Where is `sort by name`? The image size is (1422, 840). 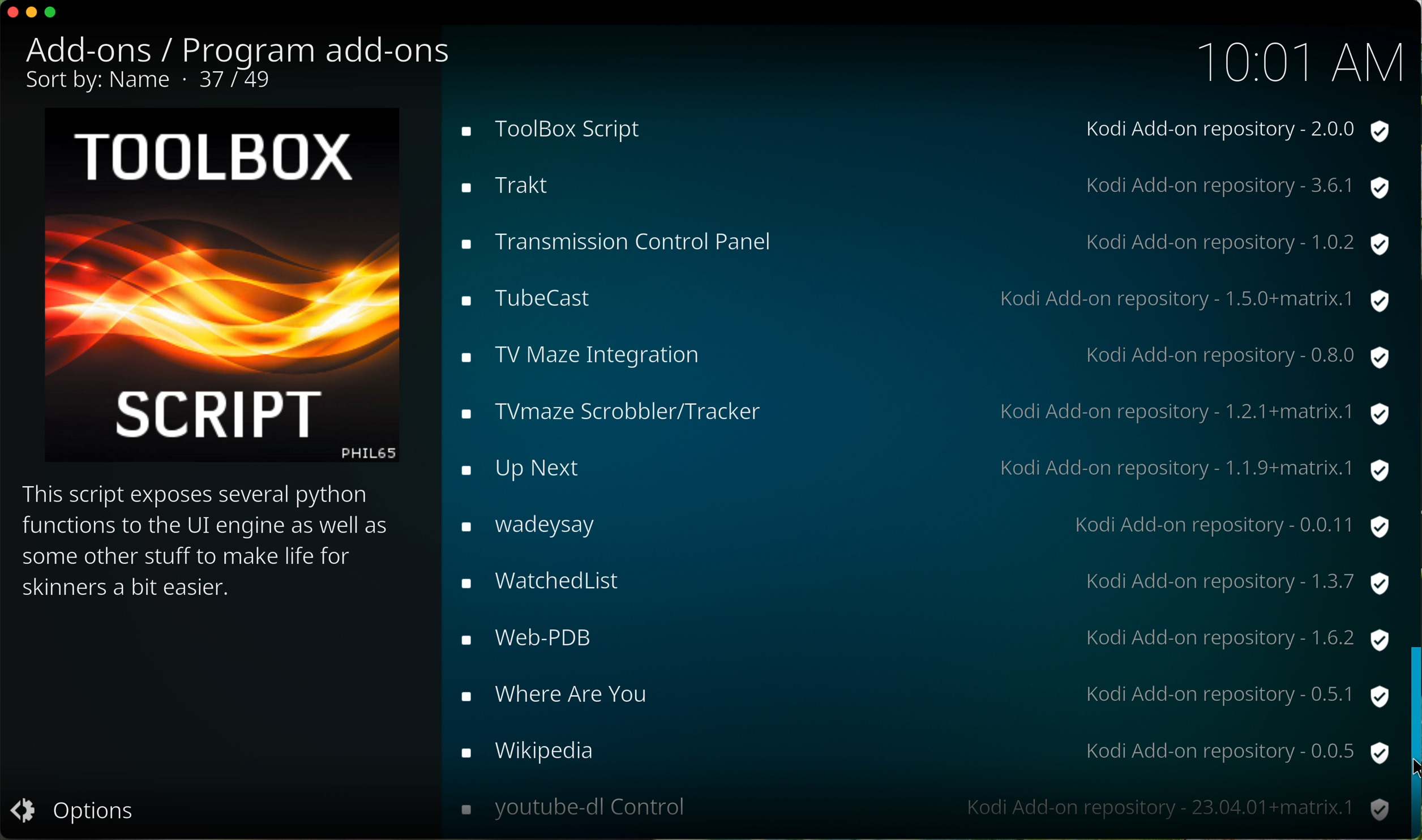
sort by name is located at coordinates (105, 84).